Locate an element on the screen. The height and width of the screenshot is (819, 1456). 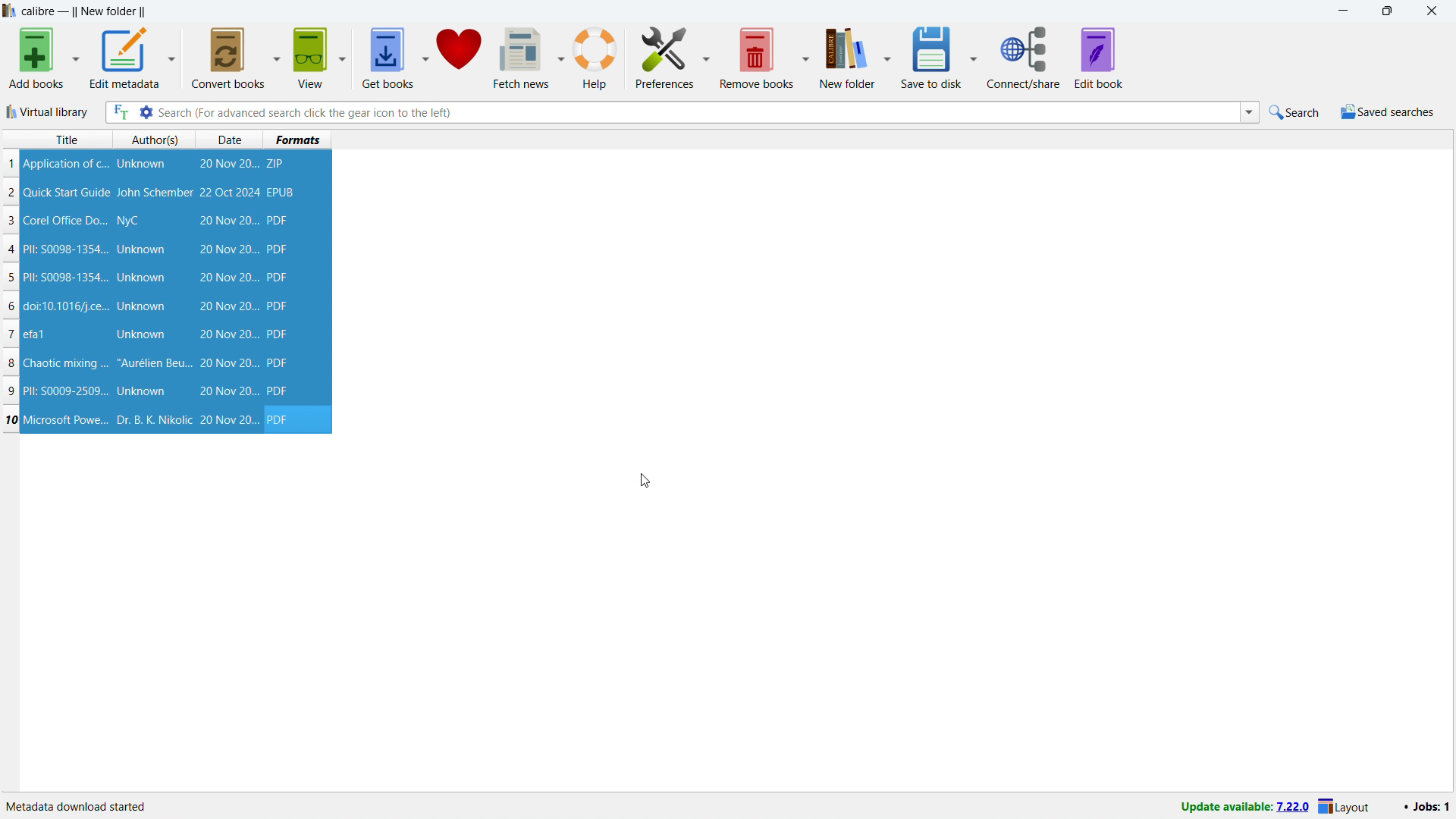
10 is located at coordinates (11, 419).